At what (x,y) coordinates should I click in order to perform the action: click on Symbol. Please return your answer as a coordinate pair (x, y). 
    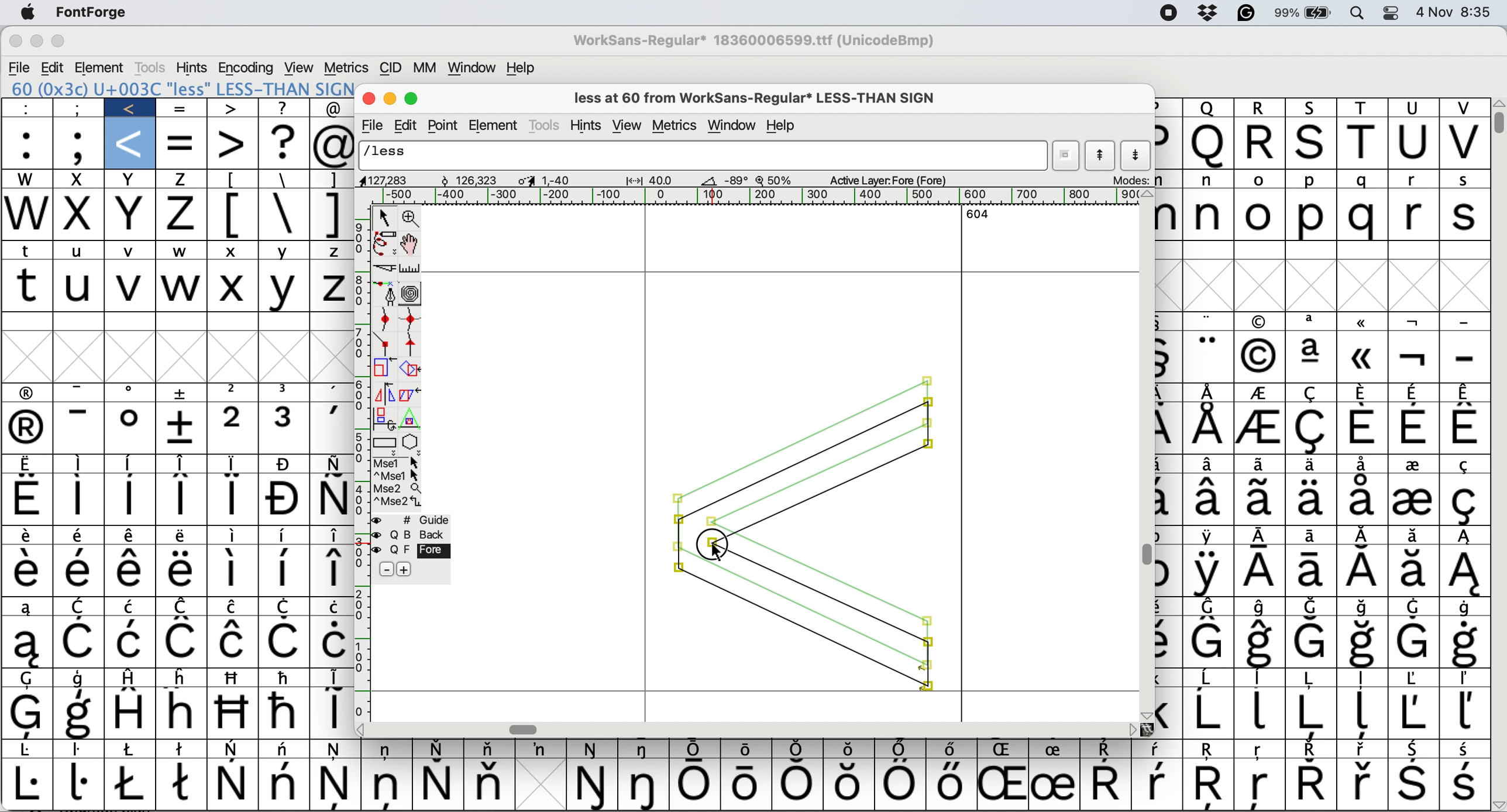
    Looking at the image, I should click on (1415, 429).